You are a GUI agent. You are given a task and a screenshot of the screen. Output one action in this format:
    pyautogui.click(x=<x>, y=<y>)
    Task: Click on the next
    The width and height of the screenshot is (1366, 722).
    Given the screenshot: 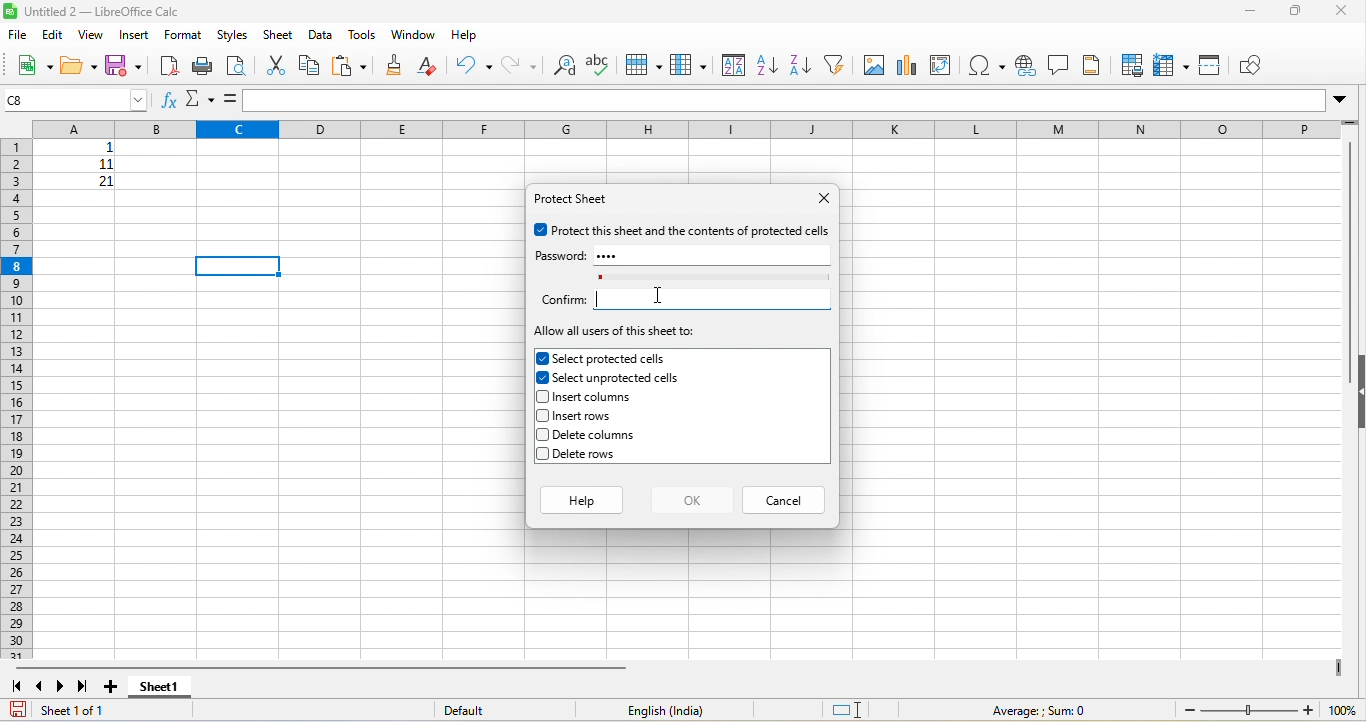 What is the action you would take?
    pyautogui.click(x=62, y=686)
    